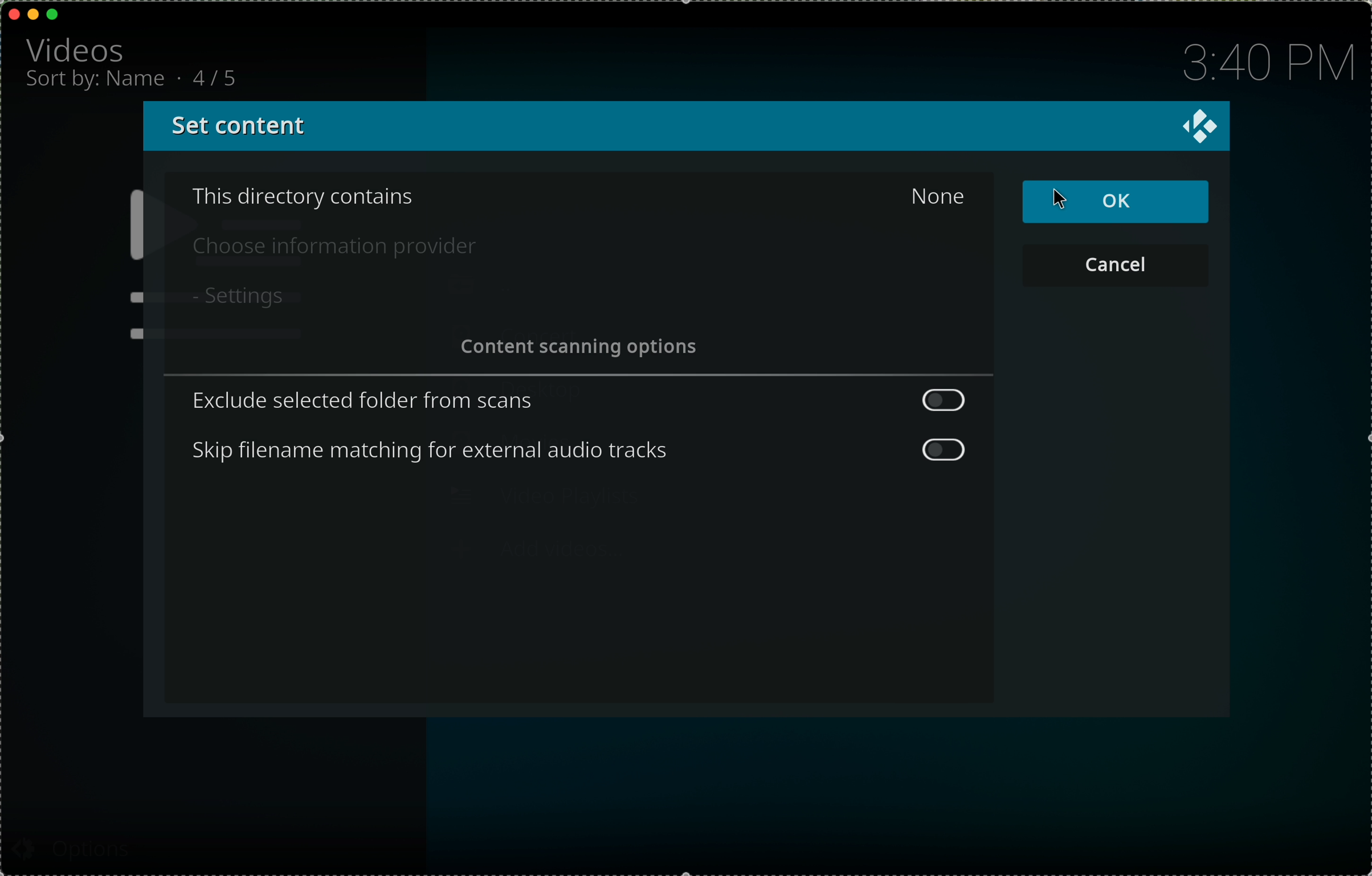  What do you see at coordinates (129, 264) in the screenshot?
I see `icon` at bounding box center [129, 264].